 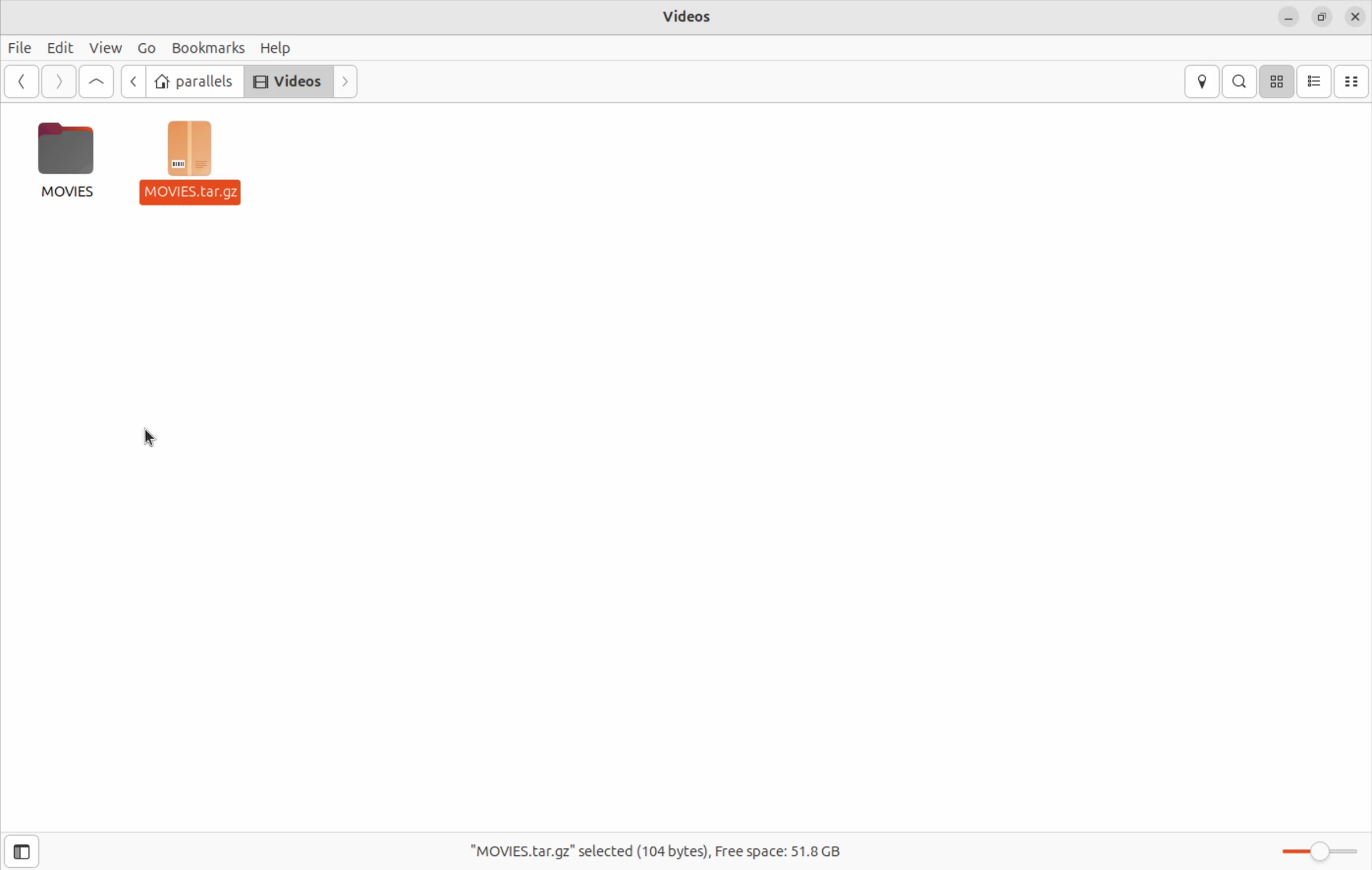 What do you see at coordinates (663, 852) in the screenshot?
I see `free spaces` at bounding box center [663, 852].